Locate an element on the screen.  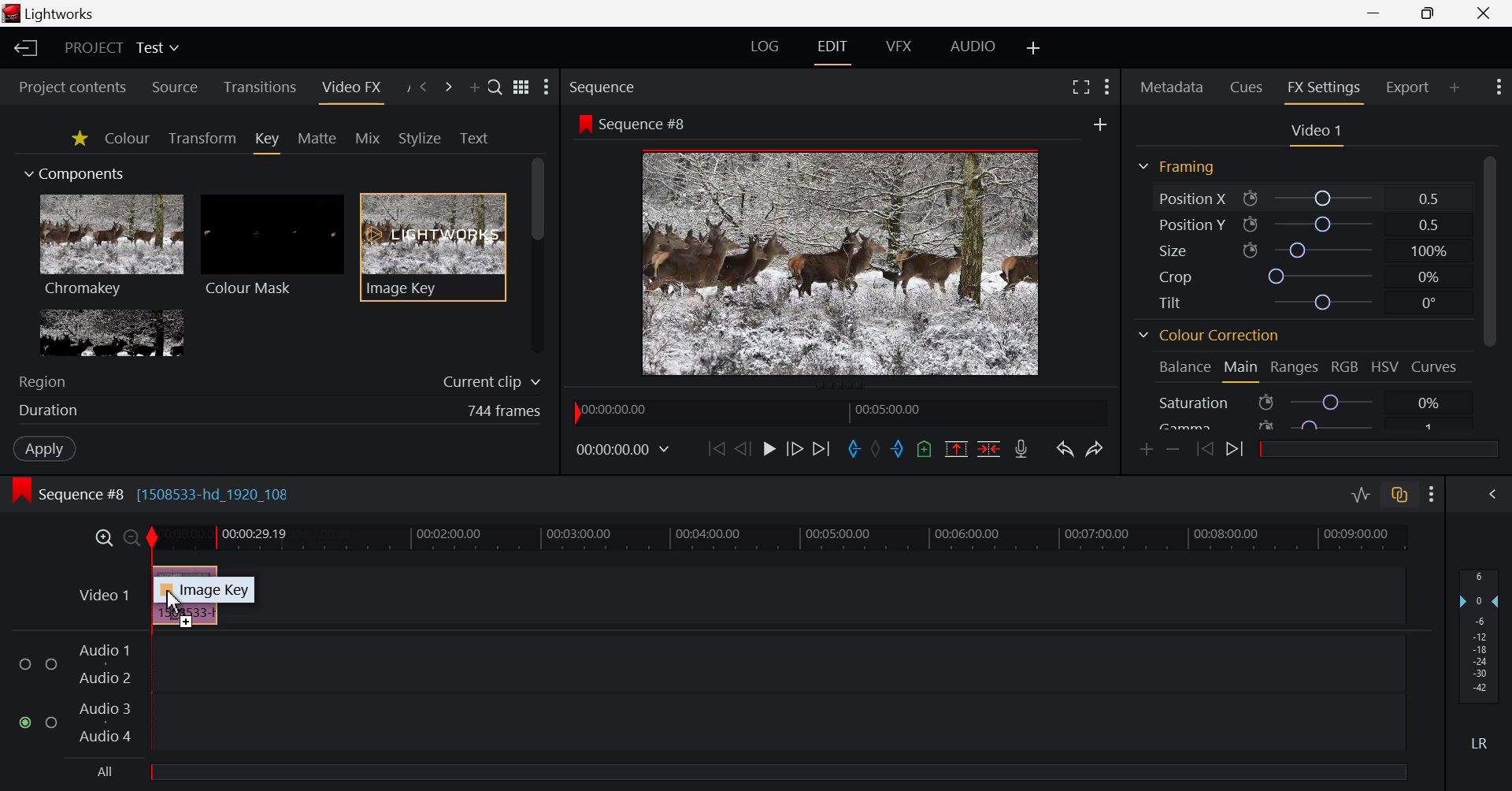
Image Key is located at coordinates (433, 246).